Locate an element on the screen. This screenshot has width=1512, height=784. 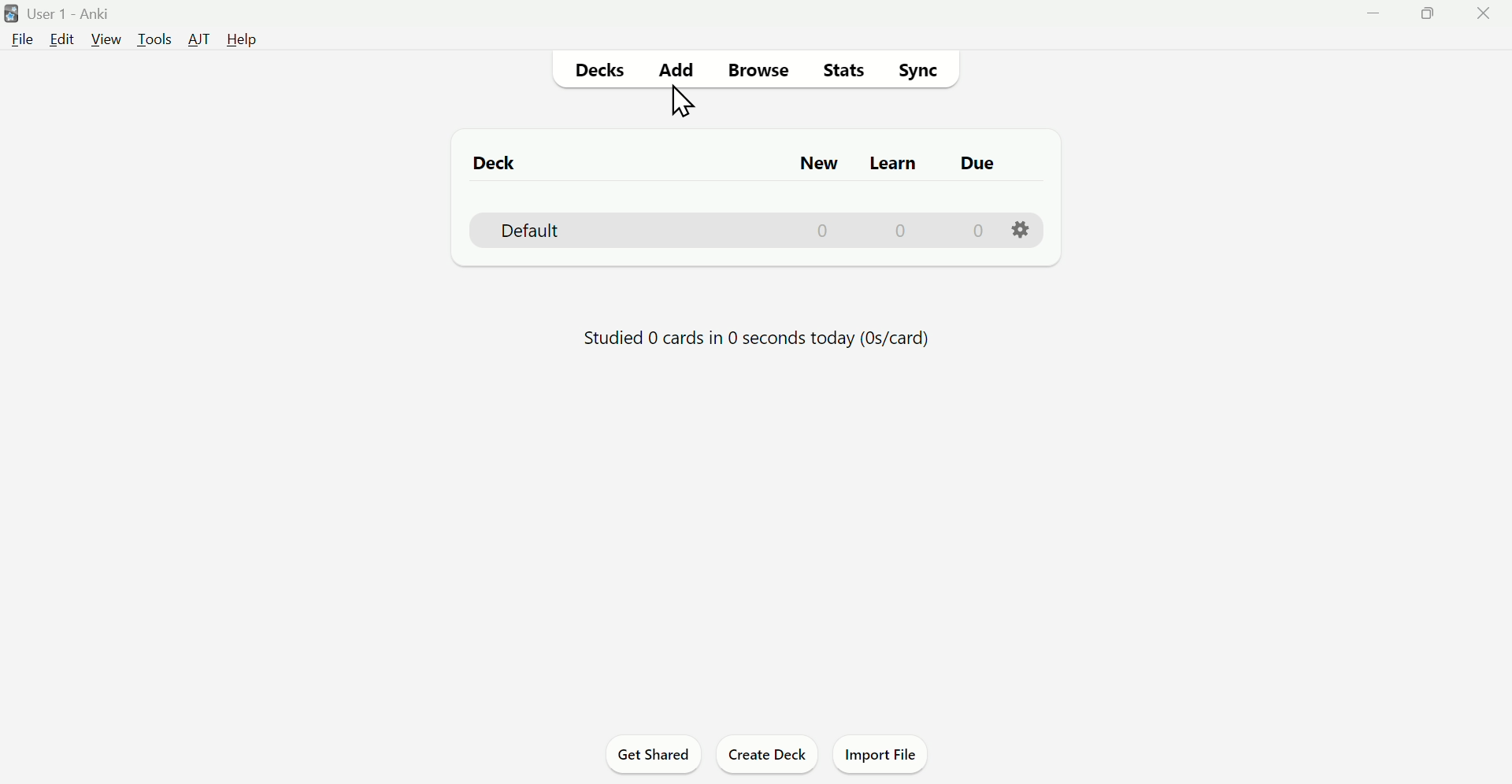
Minimize is located at coordinates (1374, 14).